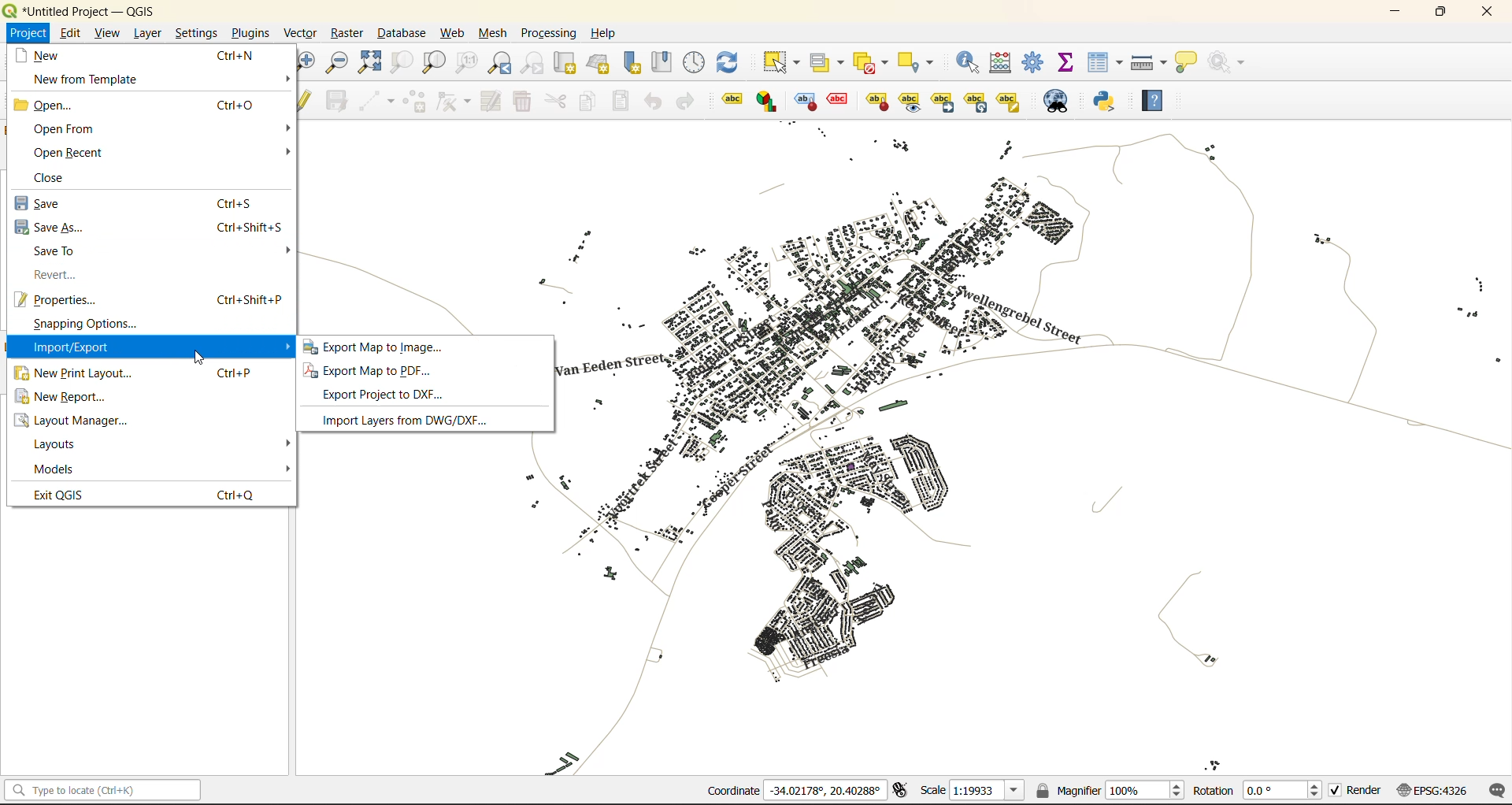  Describe the element at coordinates (148, 32) in the screenshot. I see `layer` at that location.